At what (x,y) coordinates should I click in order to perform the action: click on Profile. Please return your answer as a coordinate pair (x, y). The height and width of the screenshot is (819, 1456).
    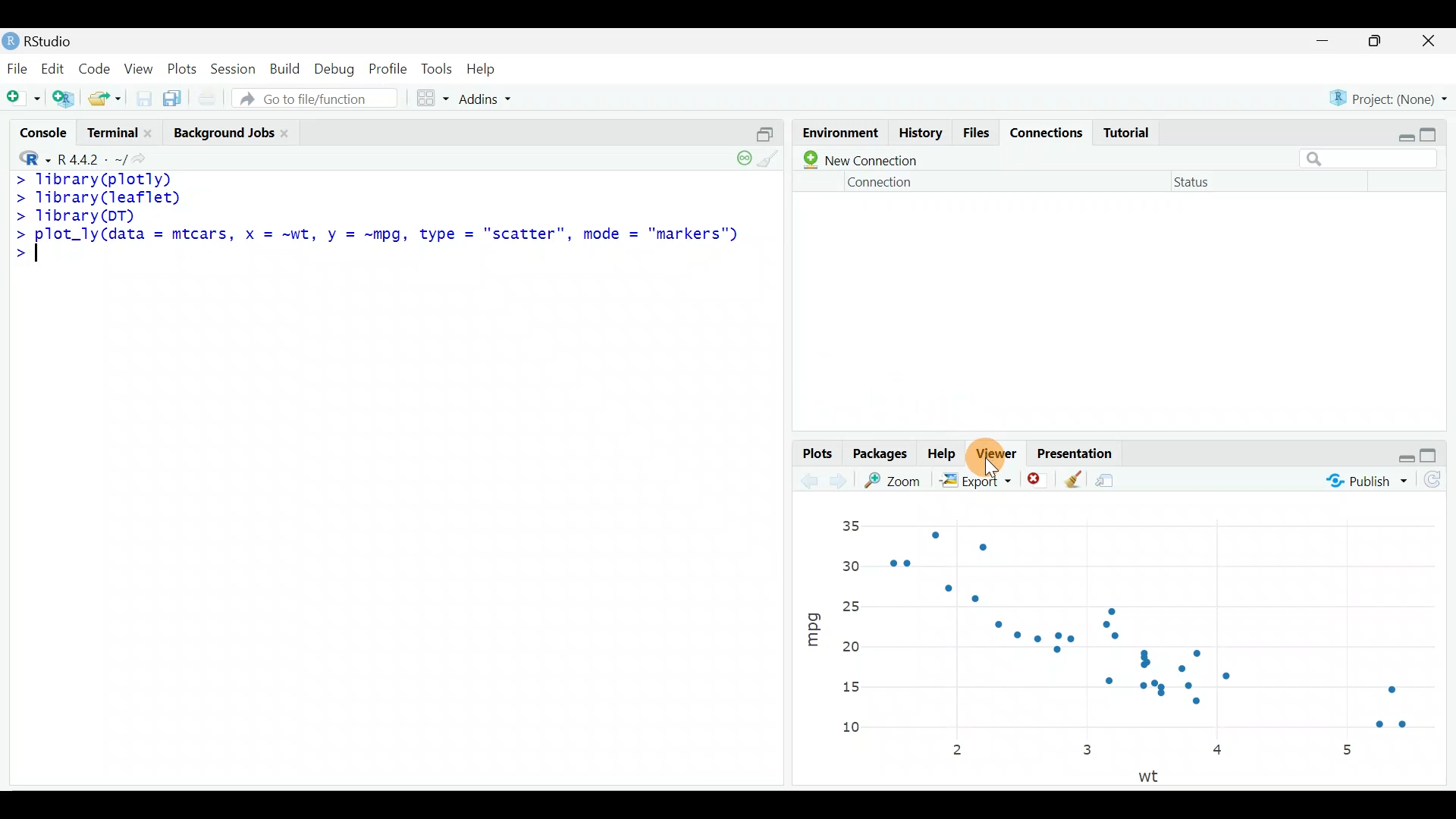
    Looking at the image, I should click on (388, 67).